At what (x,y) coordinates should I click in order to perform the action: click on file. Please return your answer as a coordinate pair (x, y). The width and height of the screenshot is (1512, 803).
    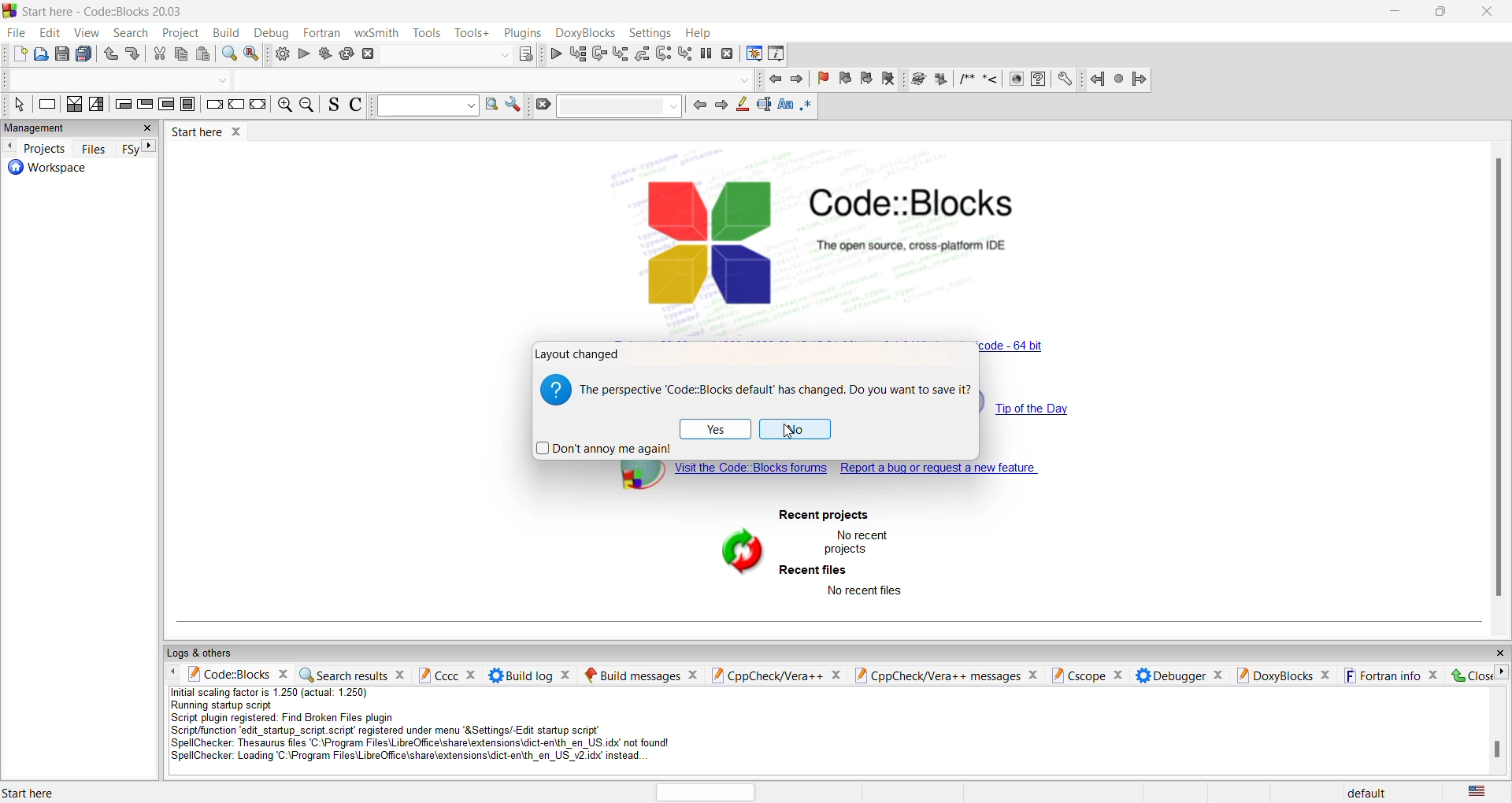
    Looking at the image, I should click on (20, 33).